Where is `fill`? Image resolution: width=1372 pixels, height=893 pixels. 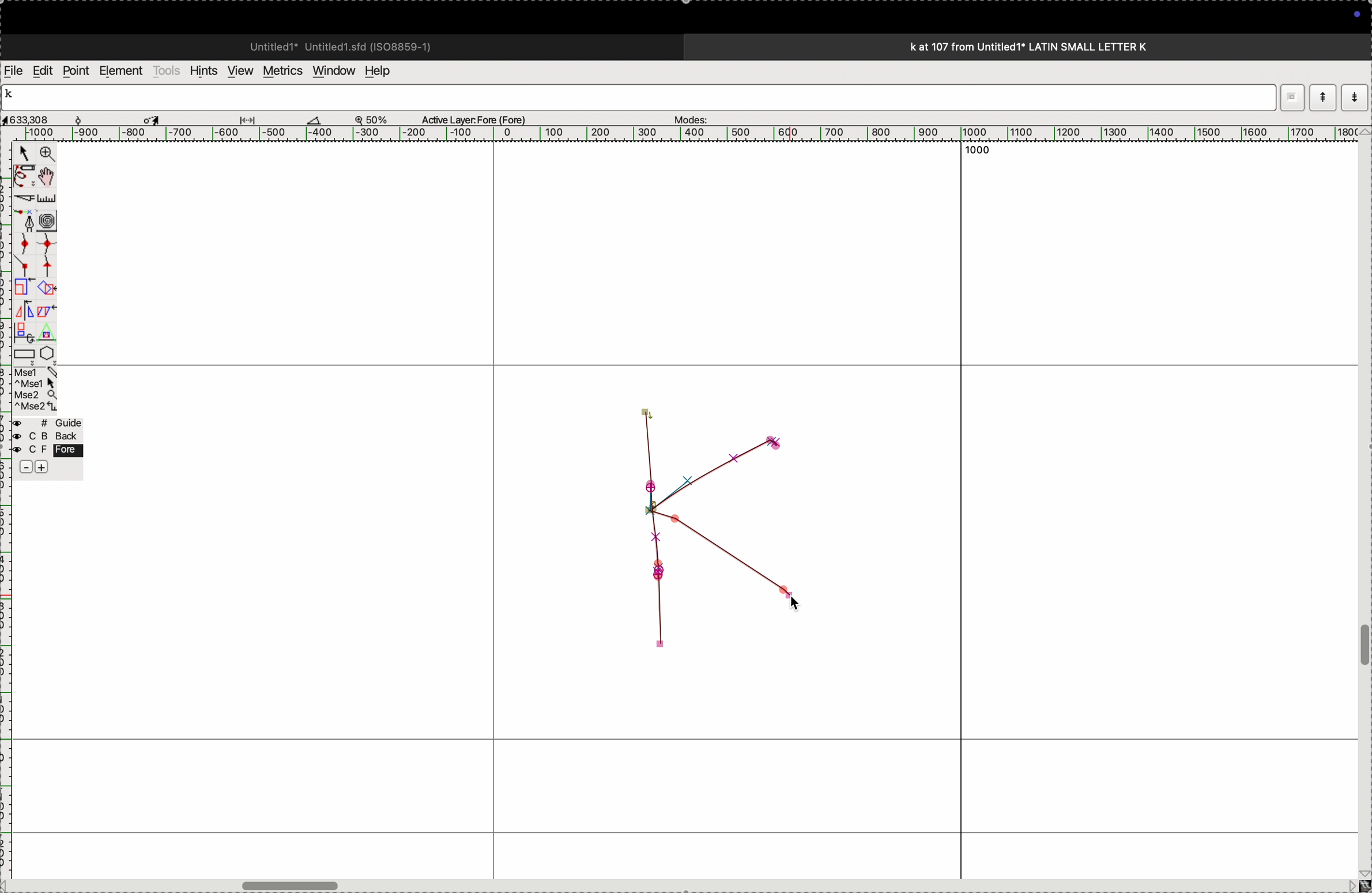 fill is located at coordinates (48, 287).